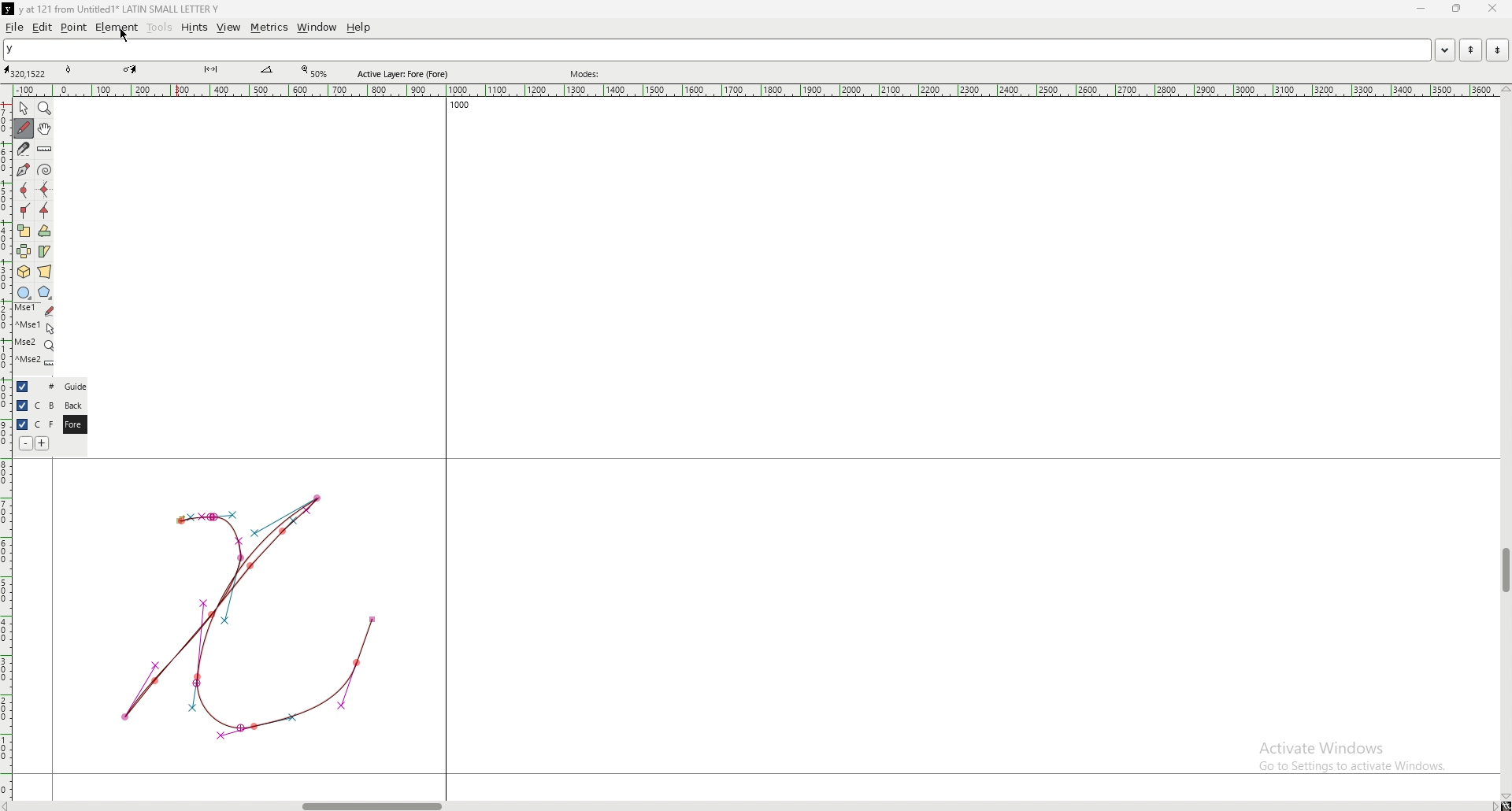 The height and width of the screenshot is (811, 1512). I want to click on tools, so click(160, 28).